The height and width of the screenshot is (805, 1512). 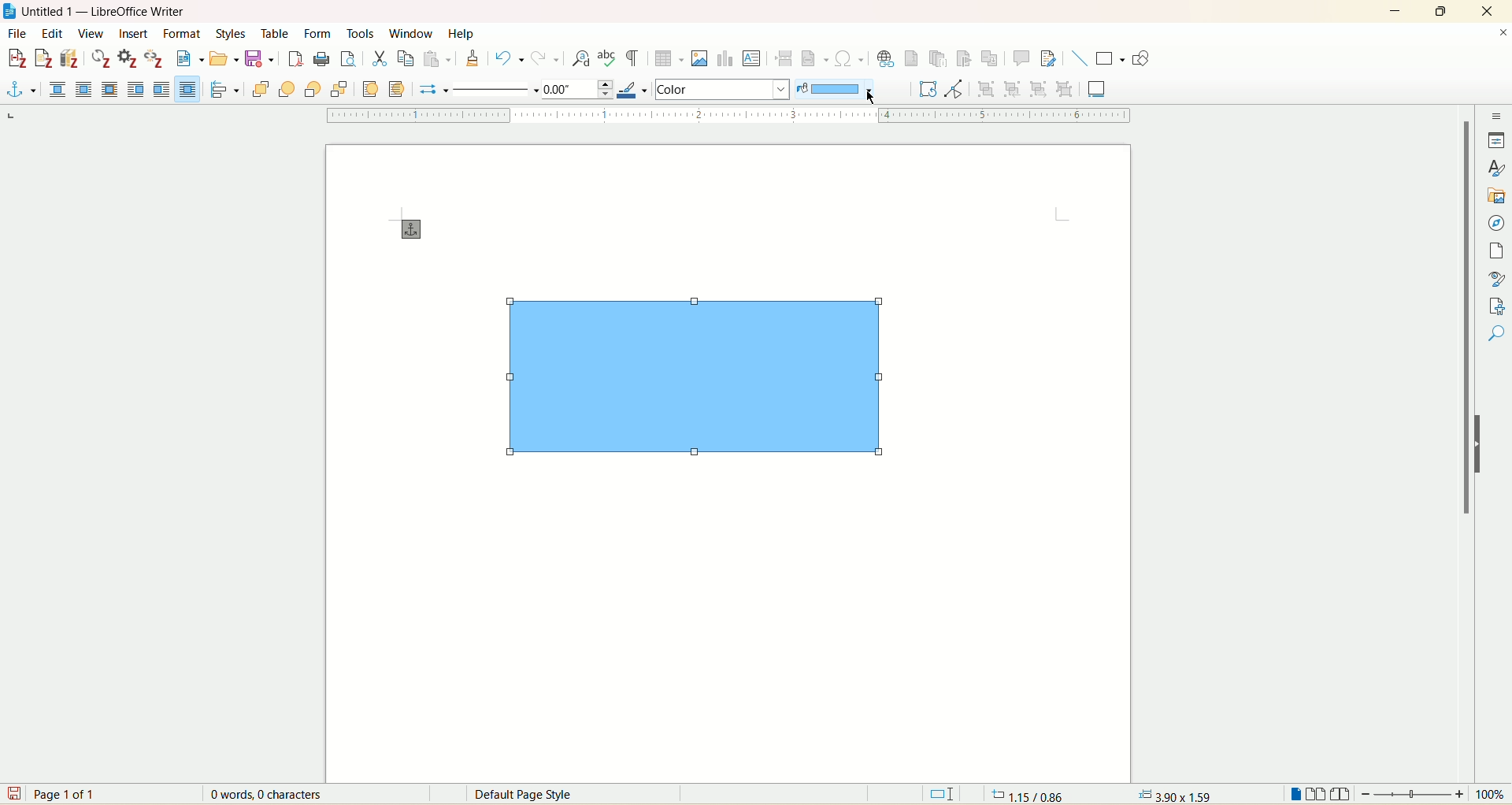 I want to click on default page style, so click(x=537, y=794).